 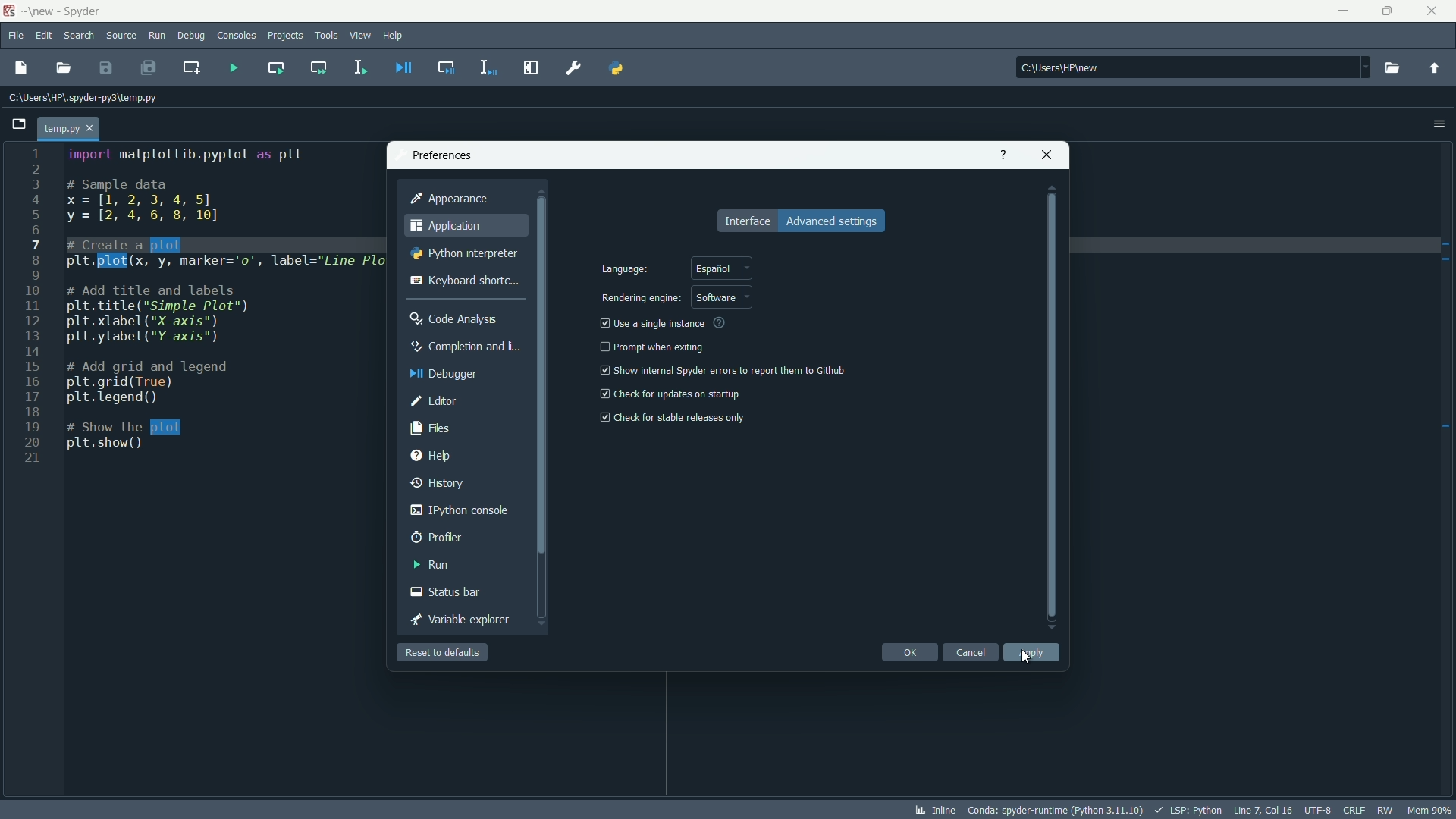 What do you see at coordinates (530, 67) in the screenshot?
I see `maximize current pane` at bounding box center [530, 67].